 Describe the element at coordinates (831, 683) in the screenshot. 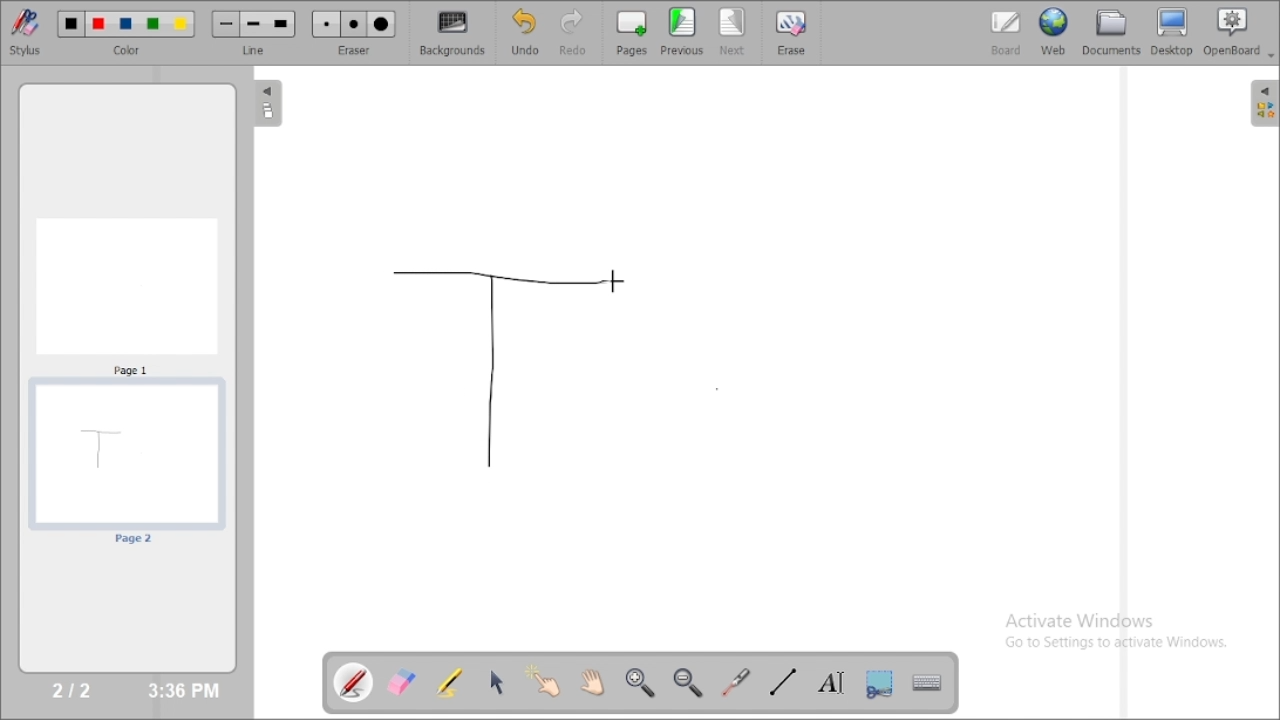

I see `write text` at that location.